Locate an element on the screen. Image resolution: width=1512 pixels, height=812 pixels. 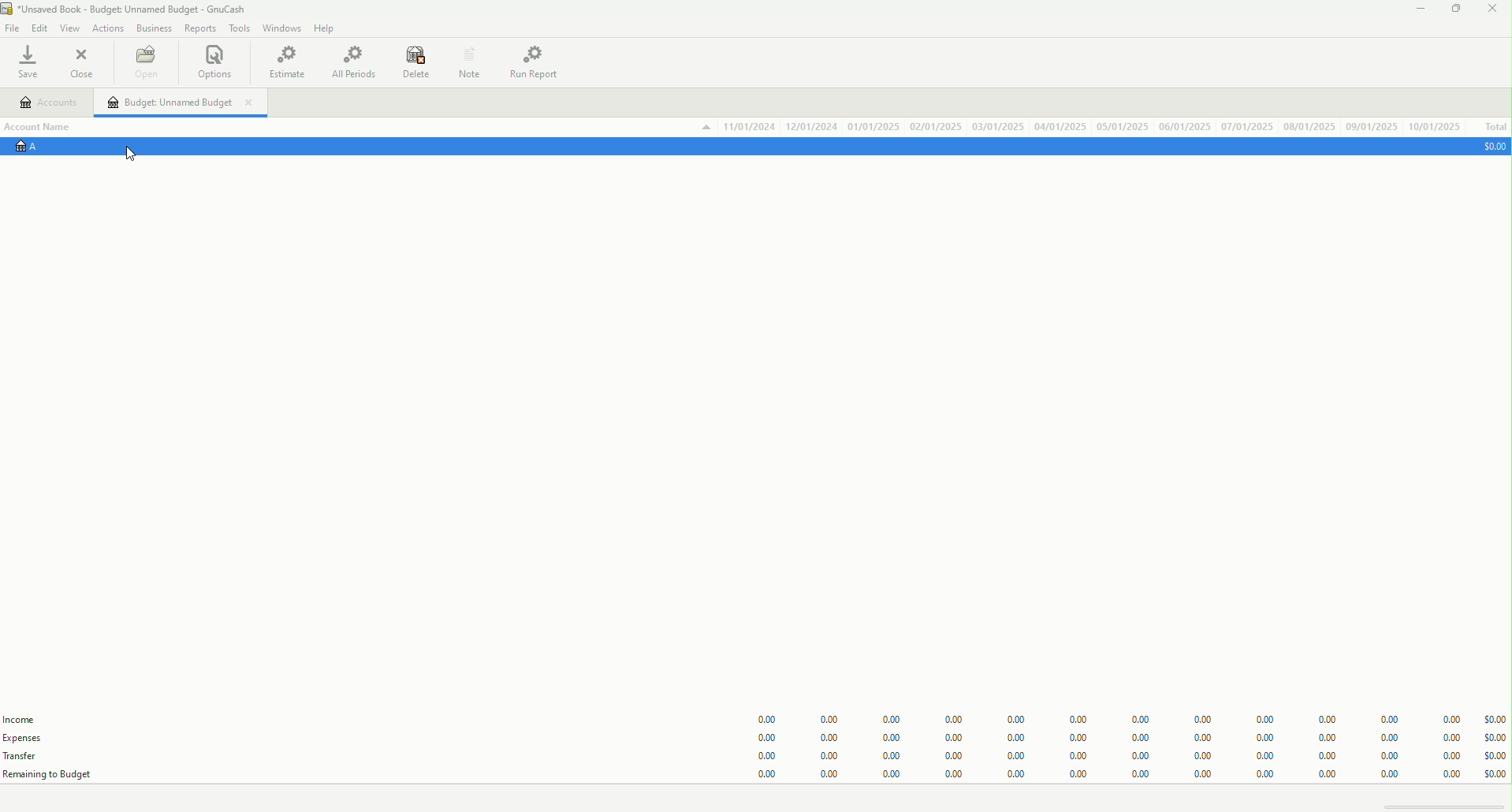
Expenses is located at coordinates (39, 739).